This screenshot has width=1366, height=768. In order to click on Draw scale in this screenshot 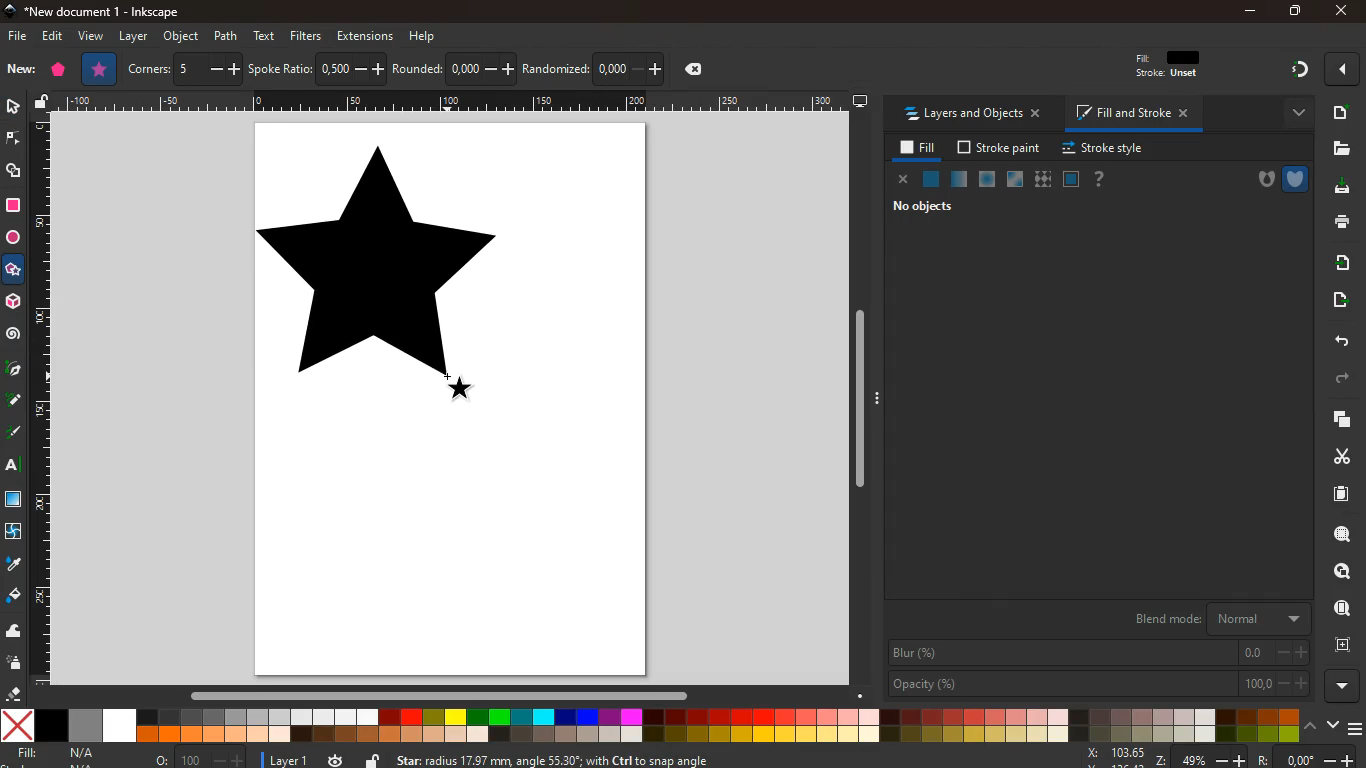, I will do `click(455, 103)`.